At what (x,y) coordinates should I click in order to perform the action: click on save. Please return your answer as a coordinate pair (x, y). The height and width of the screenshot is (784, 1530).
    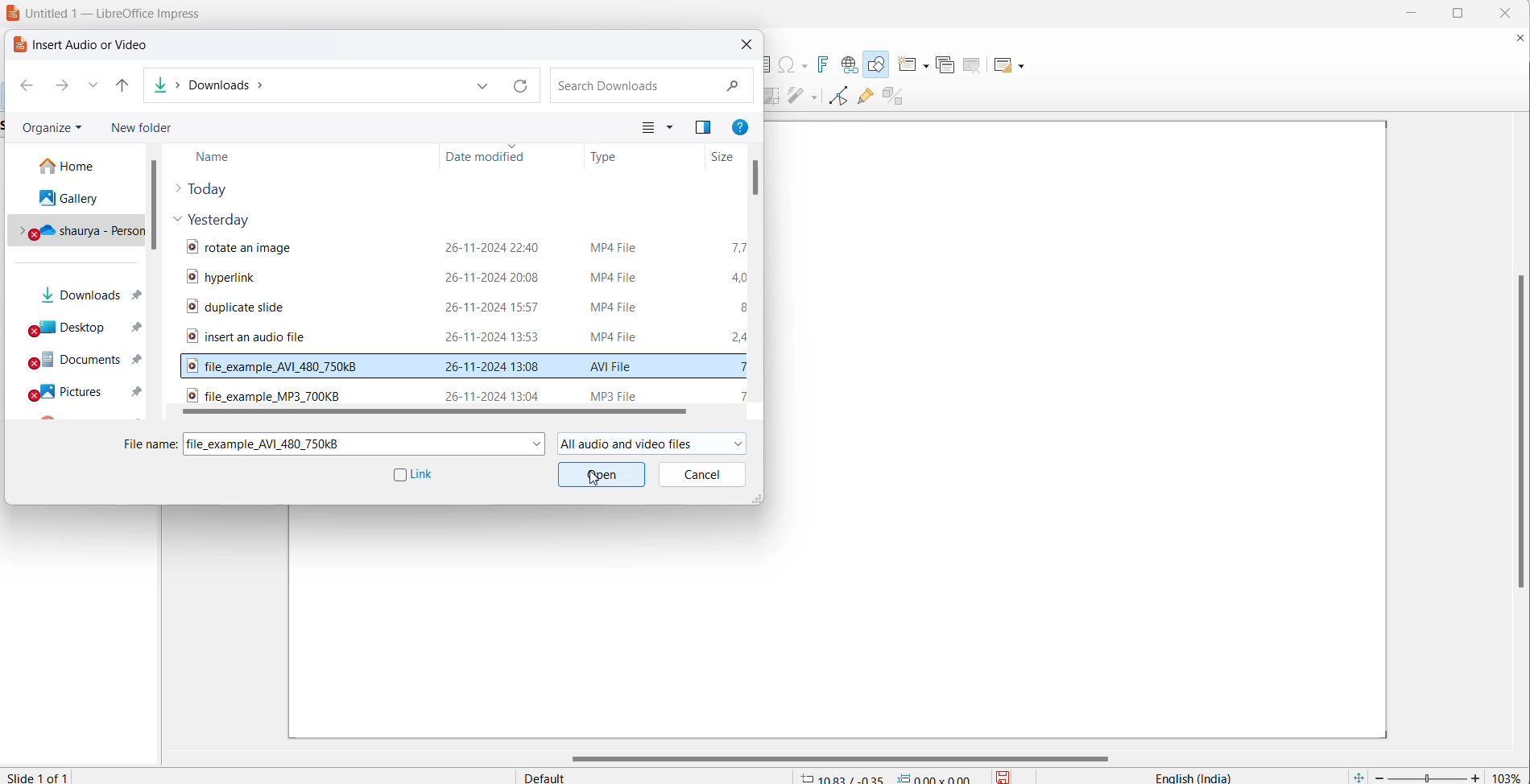
    Looking at the image, I should click on (1002, 775).